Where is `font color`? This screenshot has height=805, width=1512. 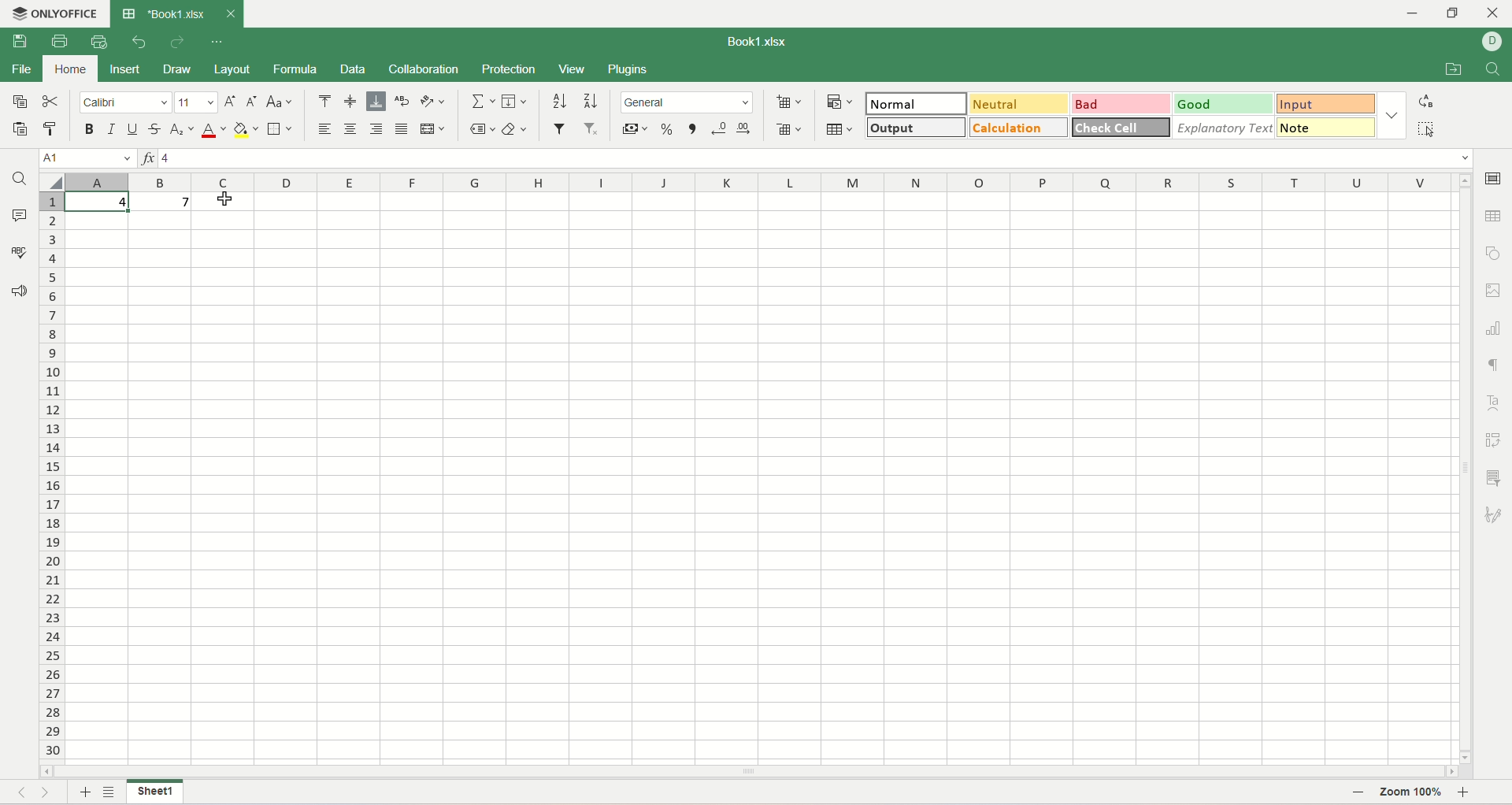
font color is located at coordinates (213, 129).